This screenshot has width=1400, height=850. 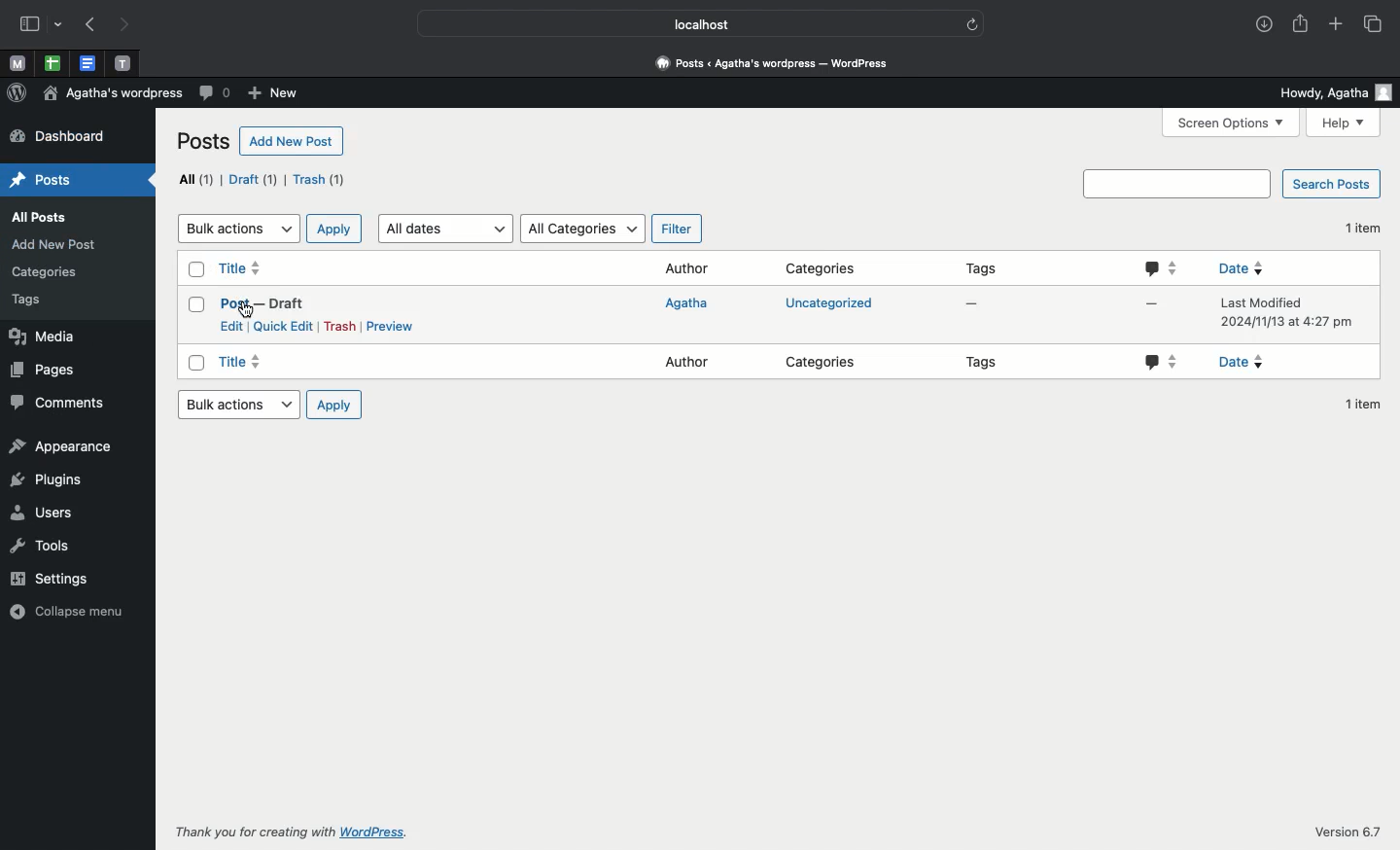 I want to click on Share, so click(x=1300, y=25).